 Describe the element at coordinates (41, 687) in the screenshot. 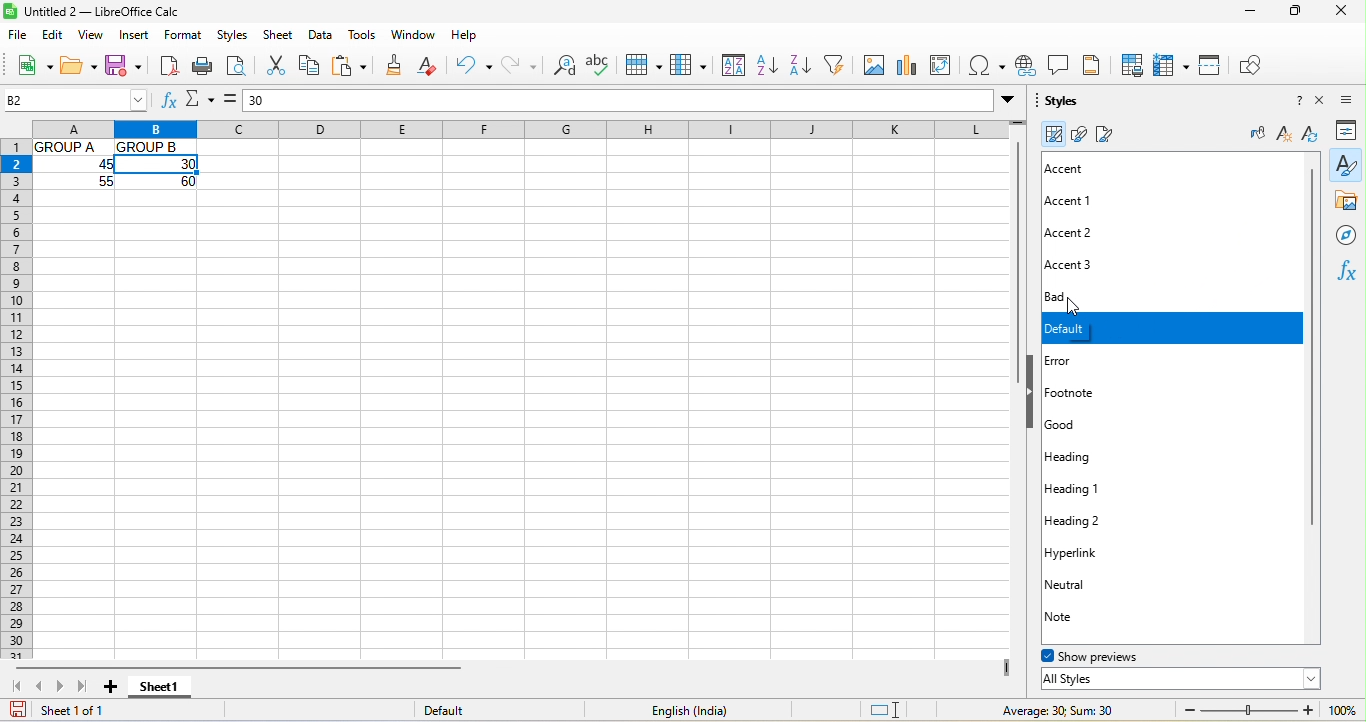

I see `previous sheet` at that location.